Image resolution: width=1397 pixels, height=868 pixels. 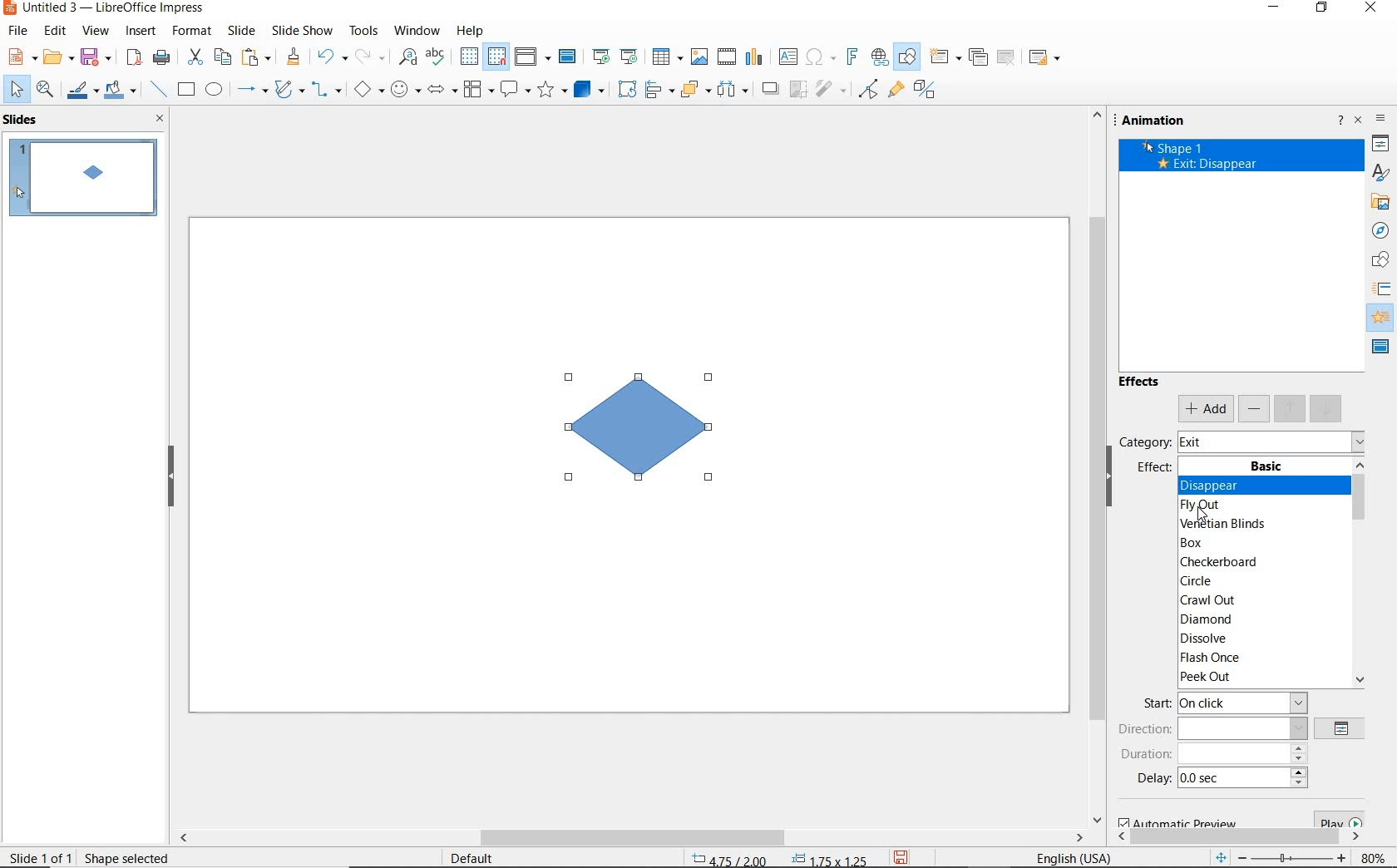 I want to click on view, so click(x=95, y=32).